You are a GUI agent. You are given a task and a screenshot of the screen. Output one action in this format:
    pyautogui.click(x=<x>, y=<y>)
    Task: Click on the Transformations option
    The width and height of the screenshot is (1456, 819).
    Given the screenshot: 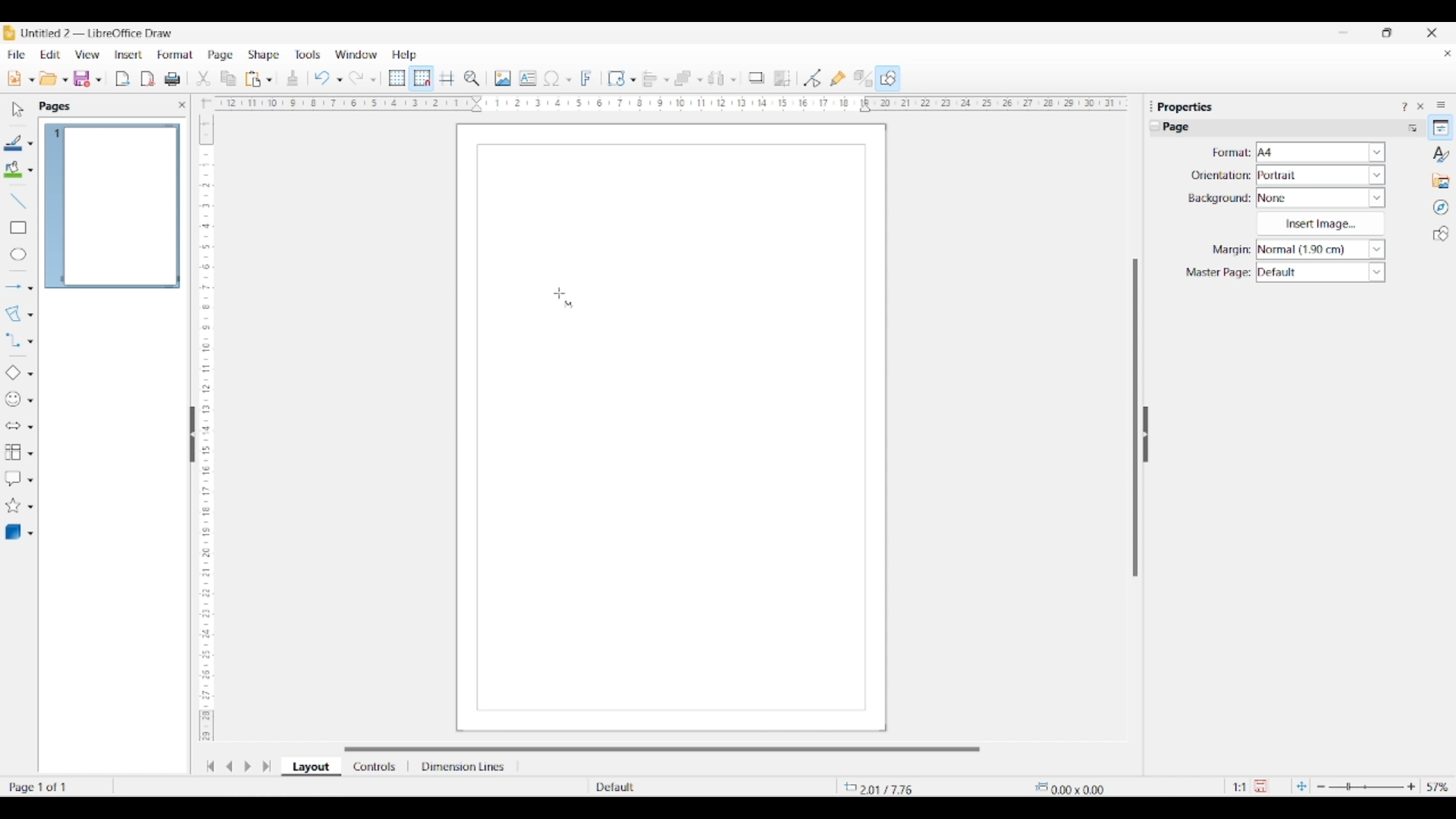 What is the action you would take?
    pyautogui.click(x=632, y=80)
    